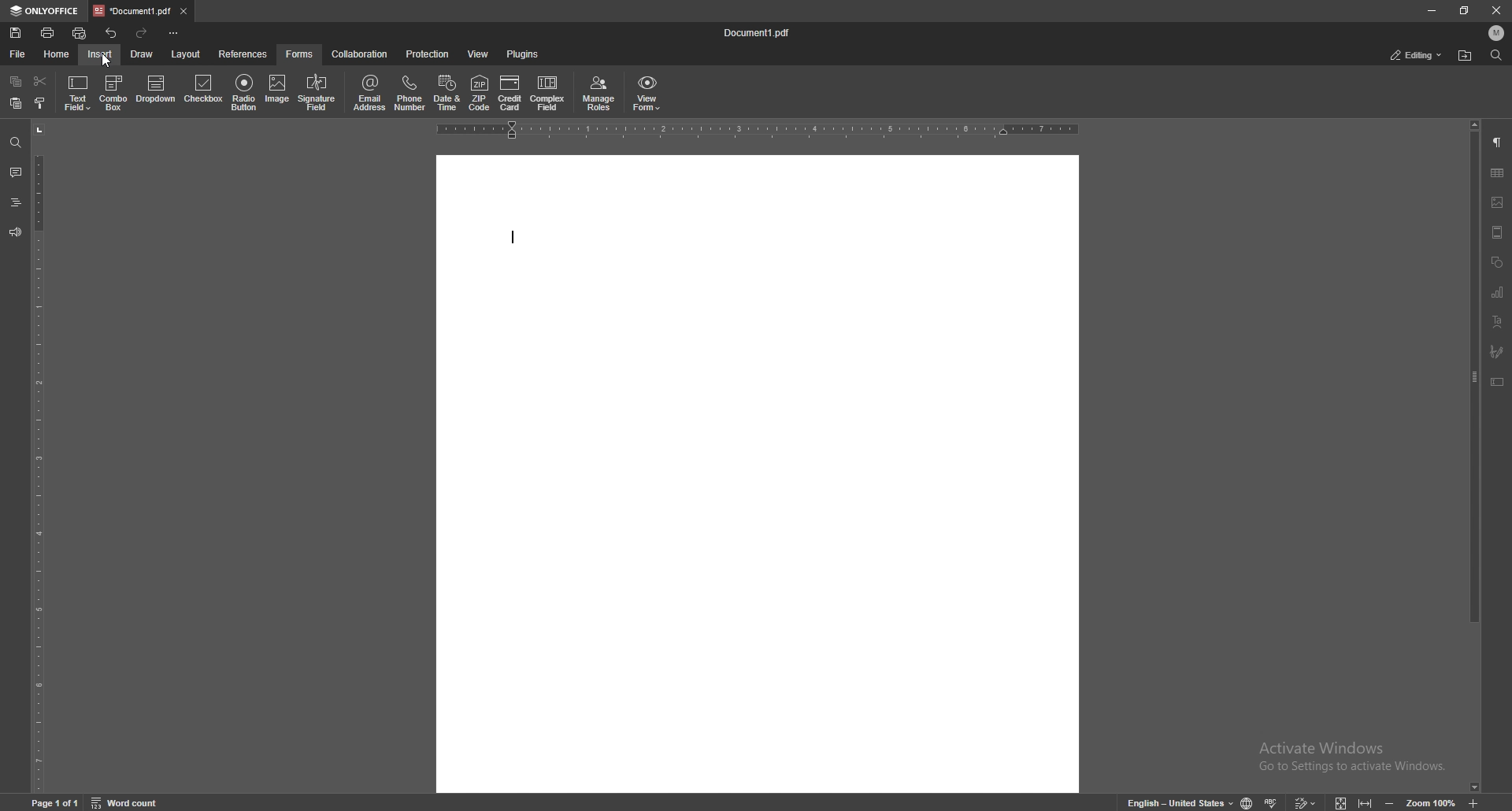 This screenshot has width=1512, height=811. What do you see at coordinates (1497, 351) in the screenshot?
I see `signature` at bounding box center [1497, 351].